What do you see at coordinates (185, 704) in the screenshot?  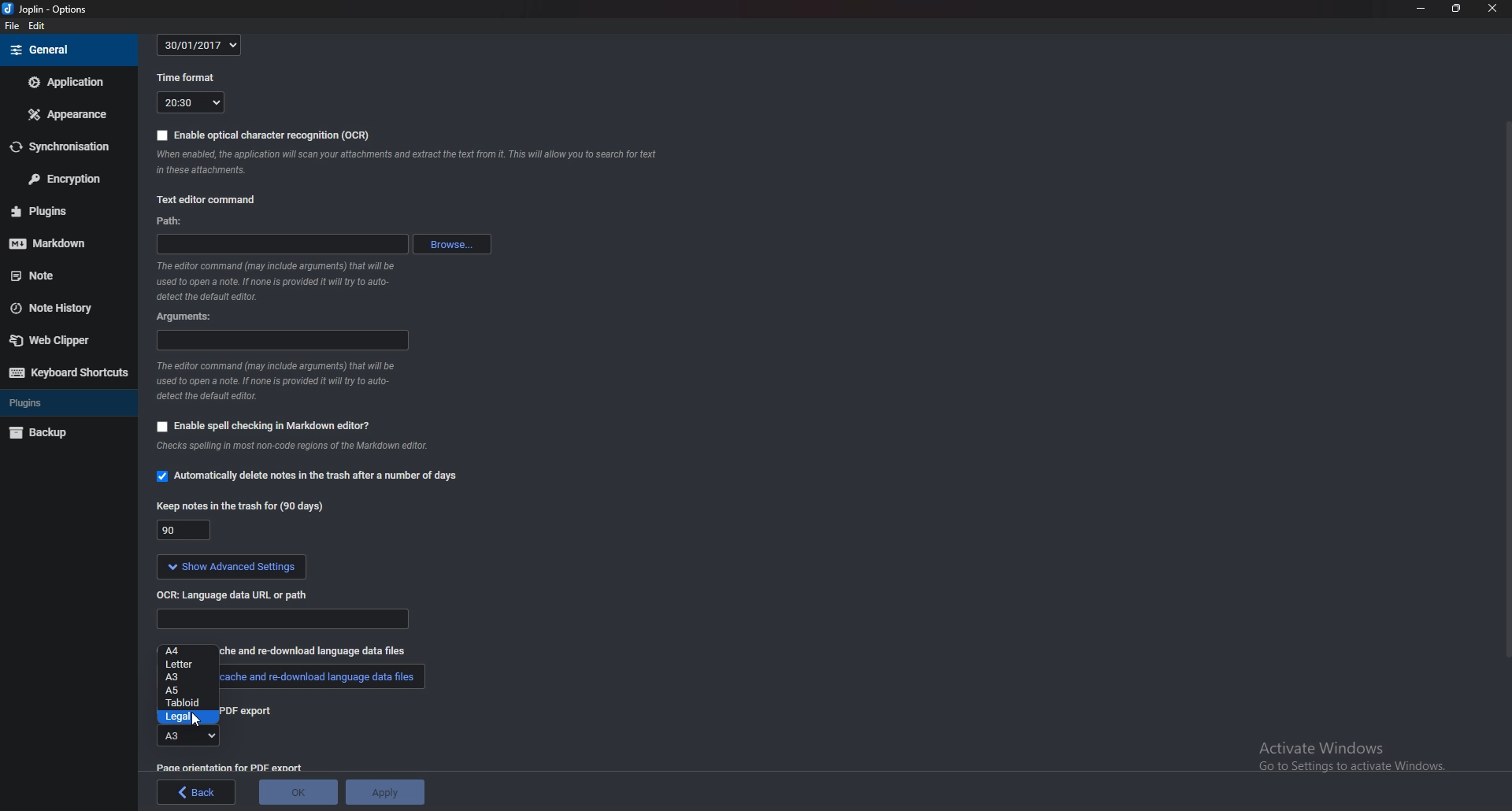 I see `tabloid` at bounding box center [185, 704].